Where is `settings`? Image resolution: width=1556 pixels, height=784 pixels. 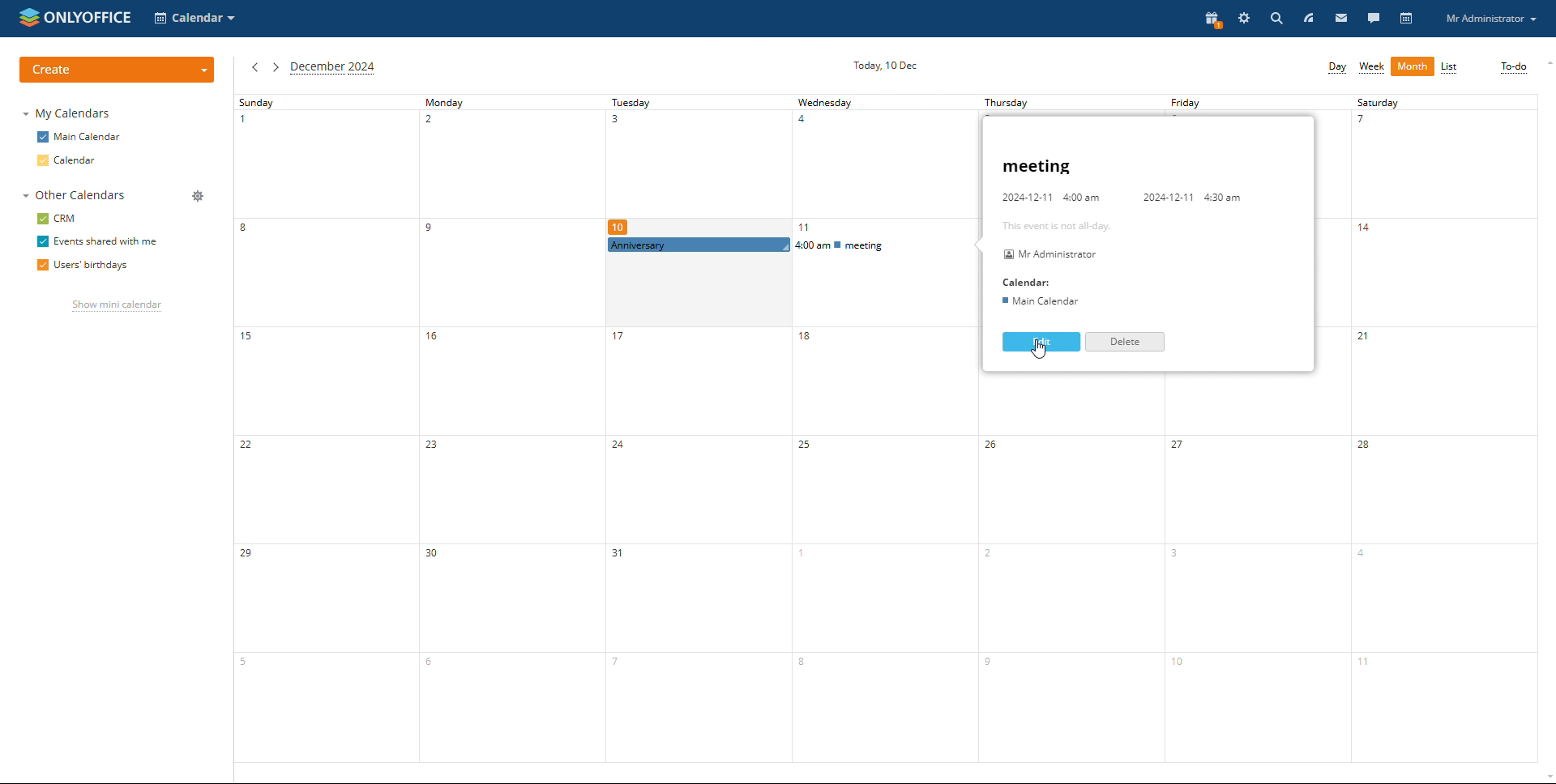 settings is located at coordinates (1244, 19).